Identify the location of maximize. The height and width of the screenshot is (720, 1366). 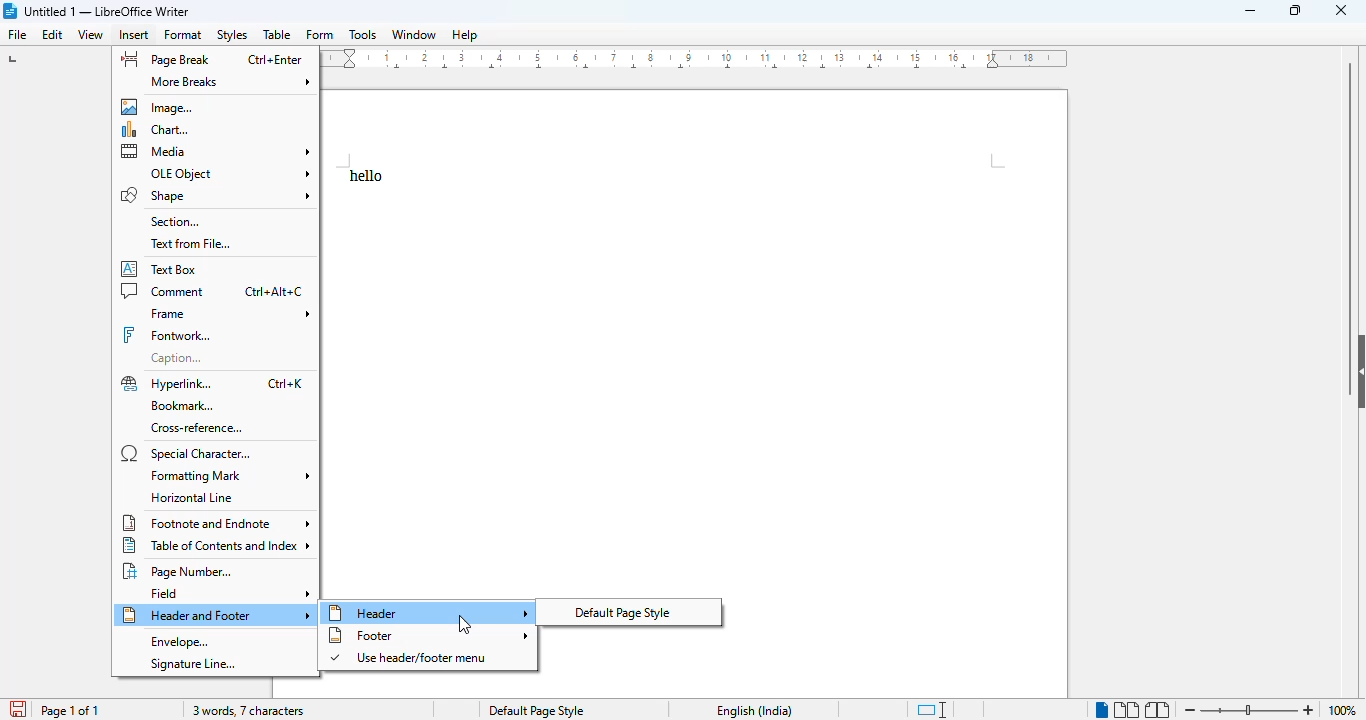
(1297, 11).